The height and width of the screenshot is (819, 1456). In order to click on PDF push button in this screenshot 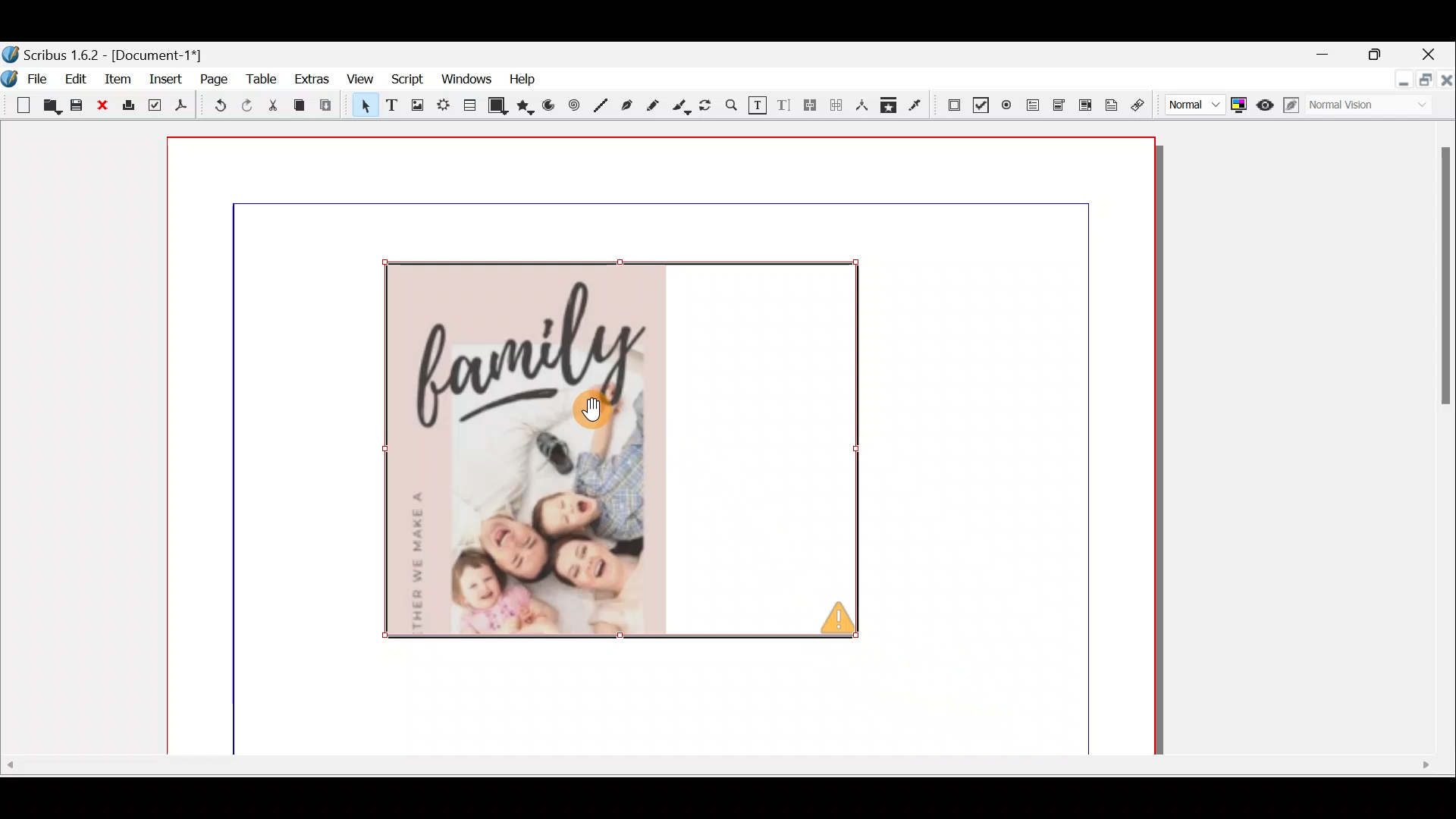, I will do `click(947, 105)`.